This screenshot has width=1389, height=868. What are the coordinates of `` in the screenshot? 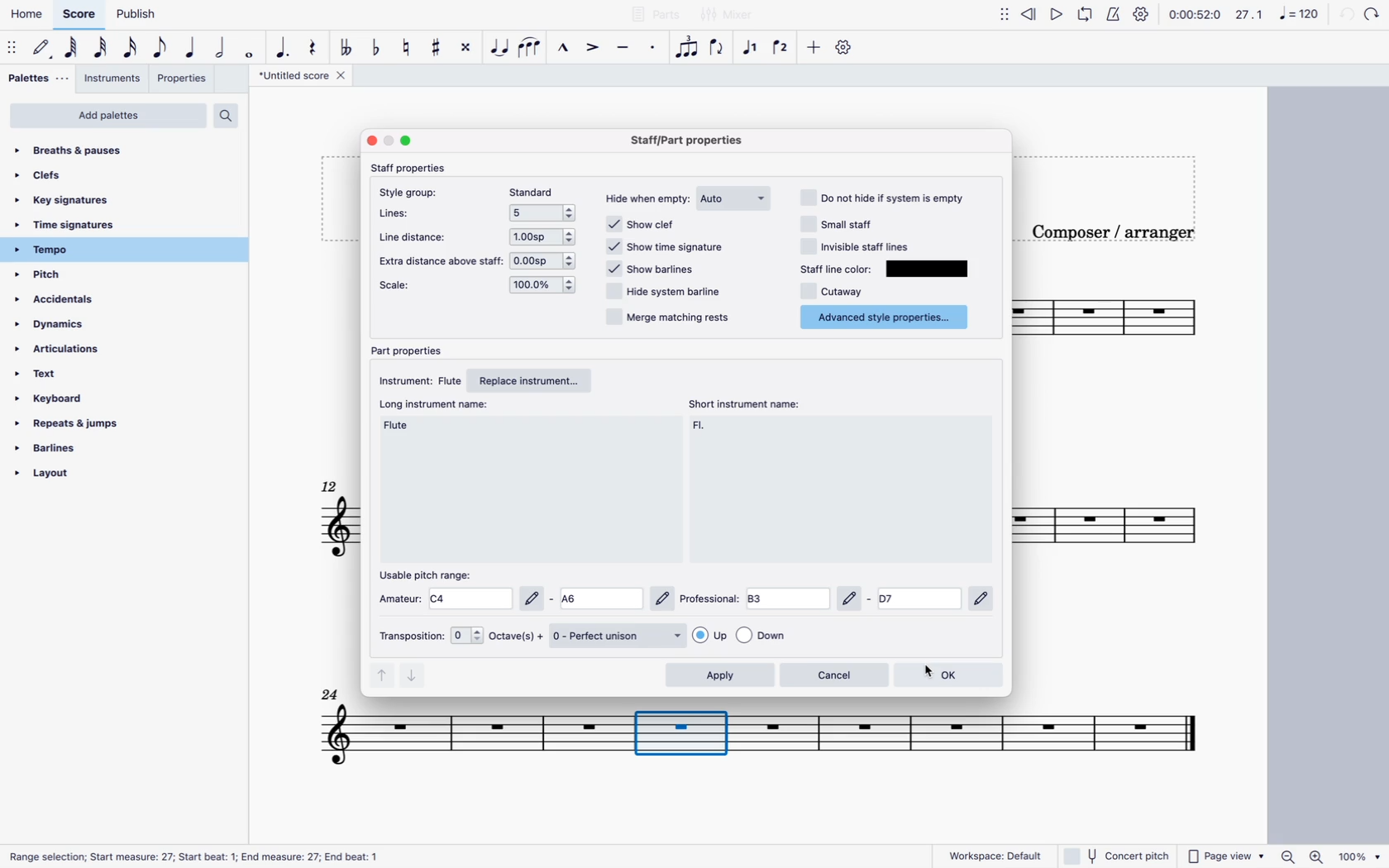 It's located at (330, 690).